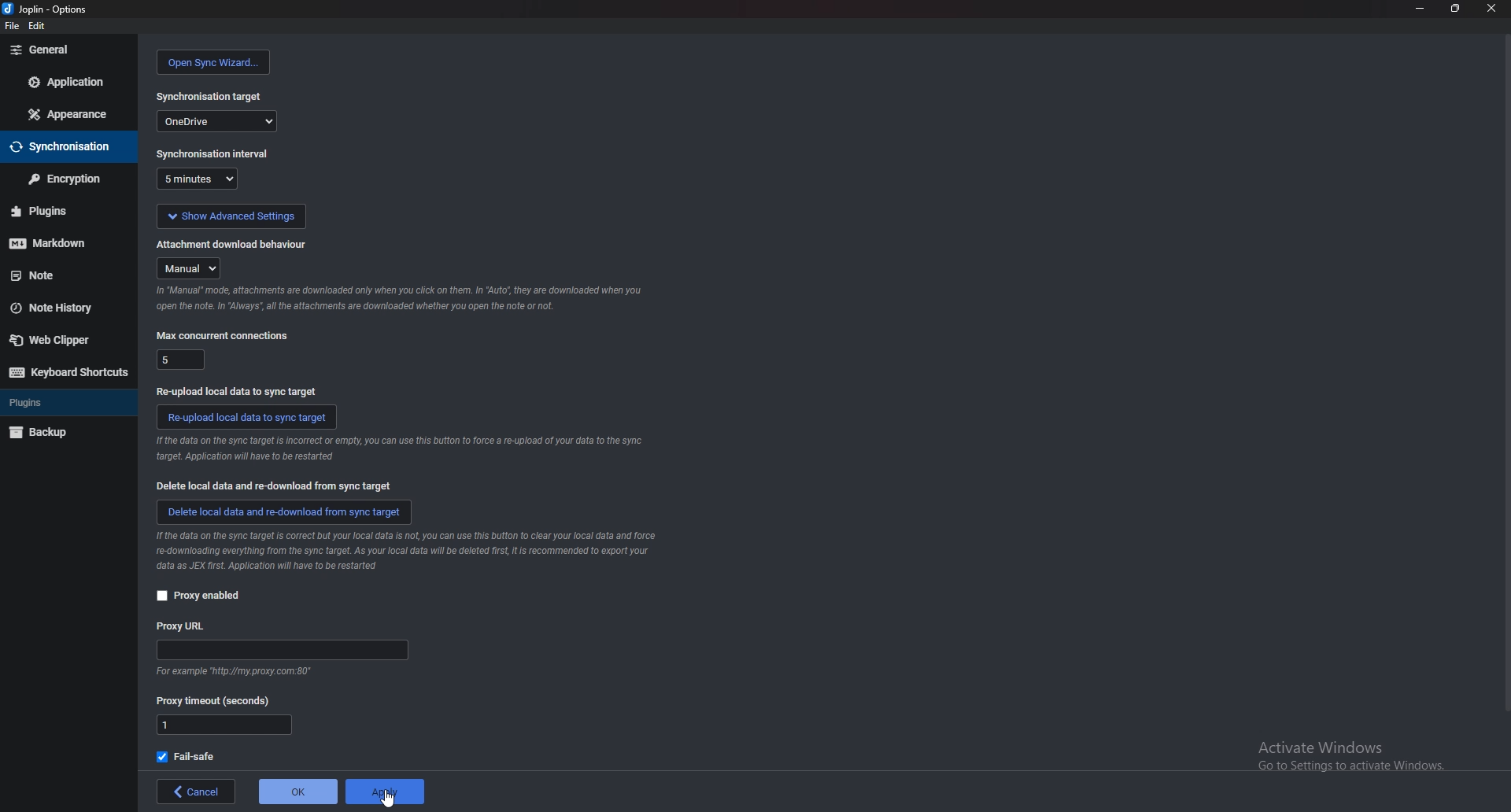 This screenshot has width=1511, height=812. Describe the element at coordinates (214, 702) in the screenshot. I see `proxy timeout` at that location.